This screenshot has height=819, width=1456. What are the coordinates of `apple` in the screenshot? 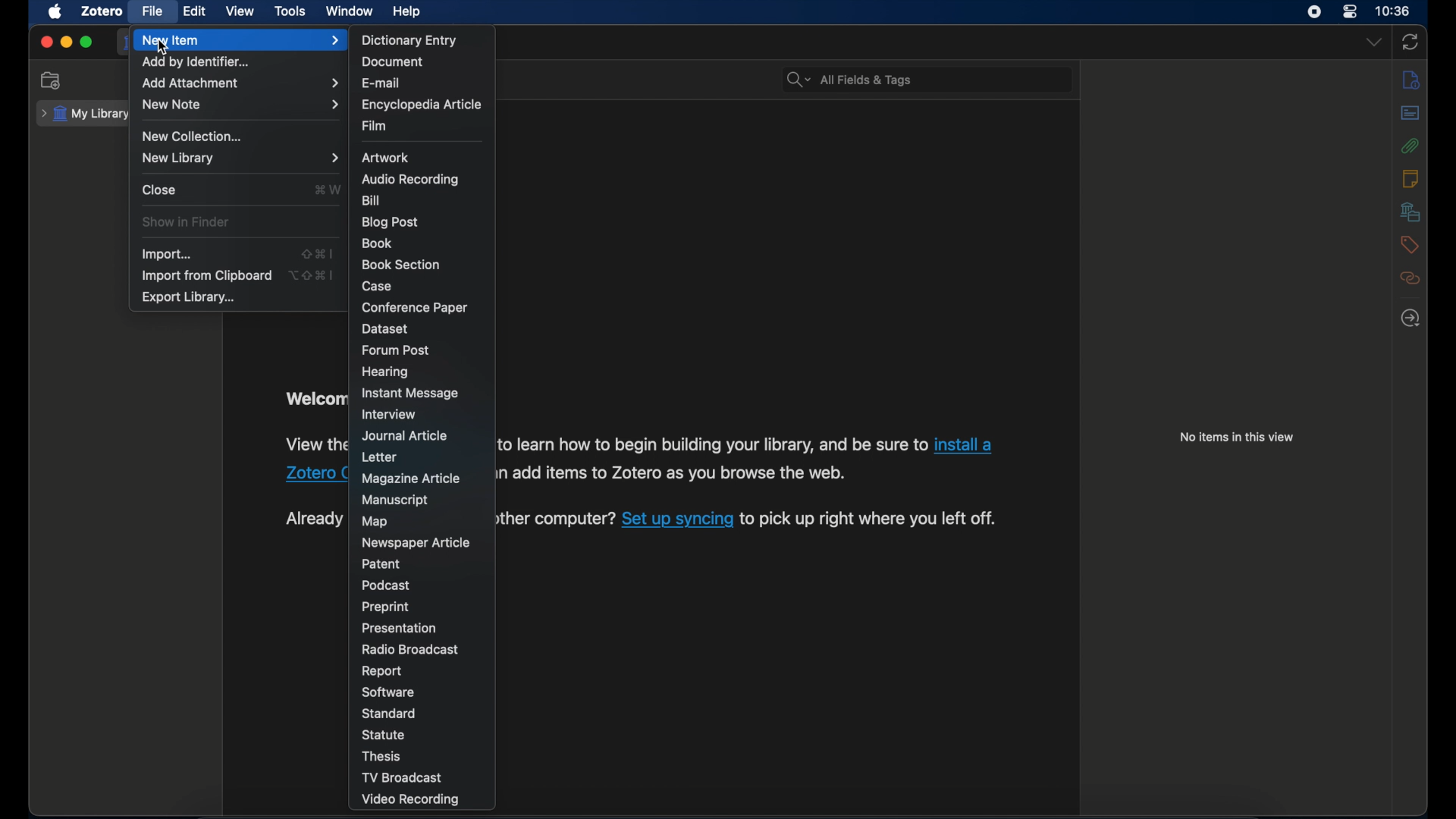 It's located at (54, 11).